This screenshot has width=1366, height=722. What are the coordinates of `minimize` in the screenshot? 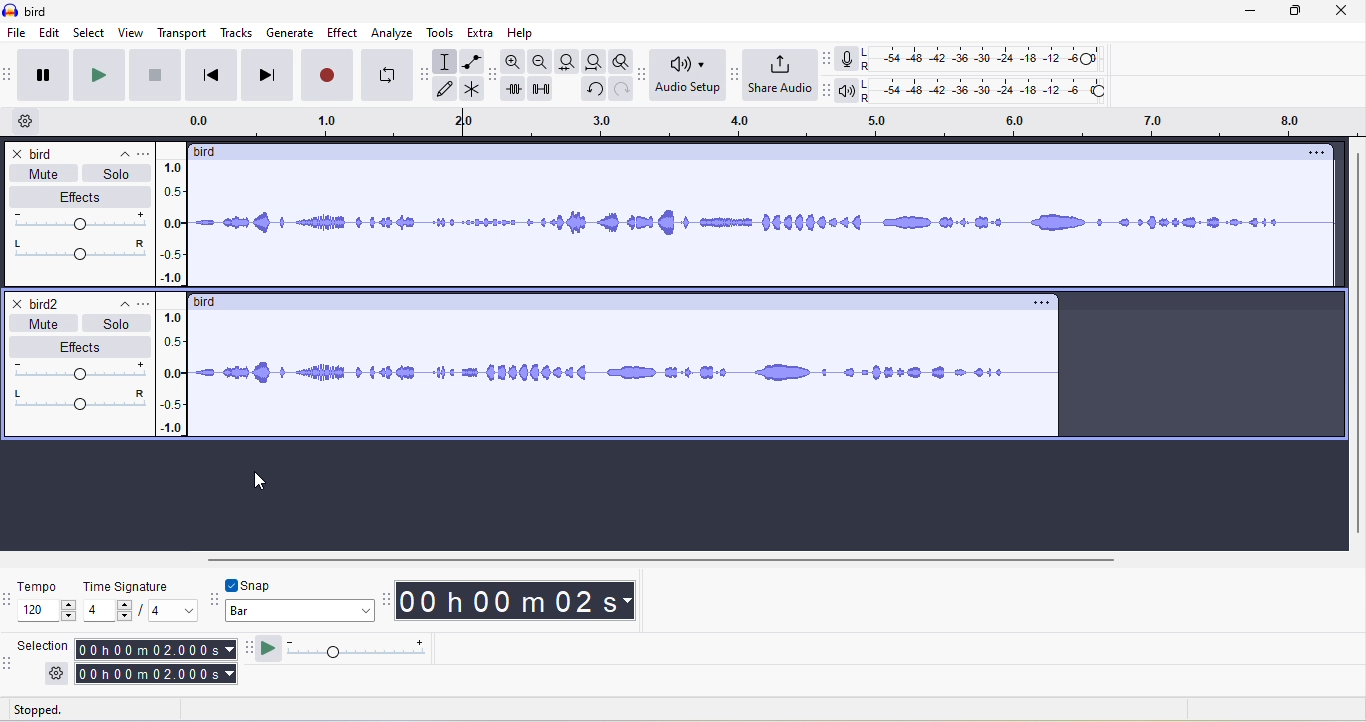 It's located at (1251, 12).